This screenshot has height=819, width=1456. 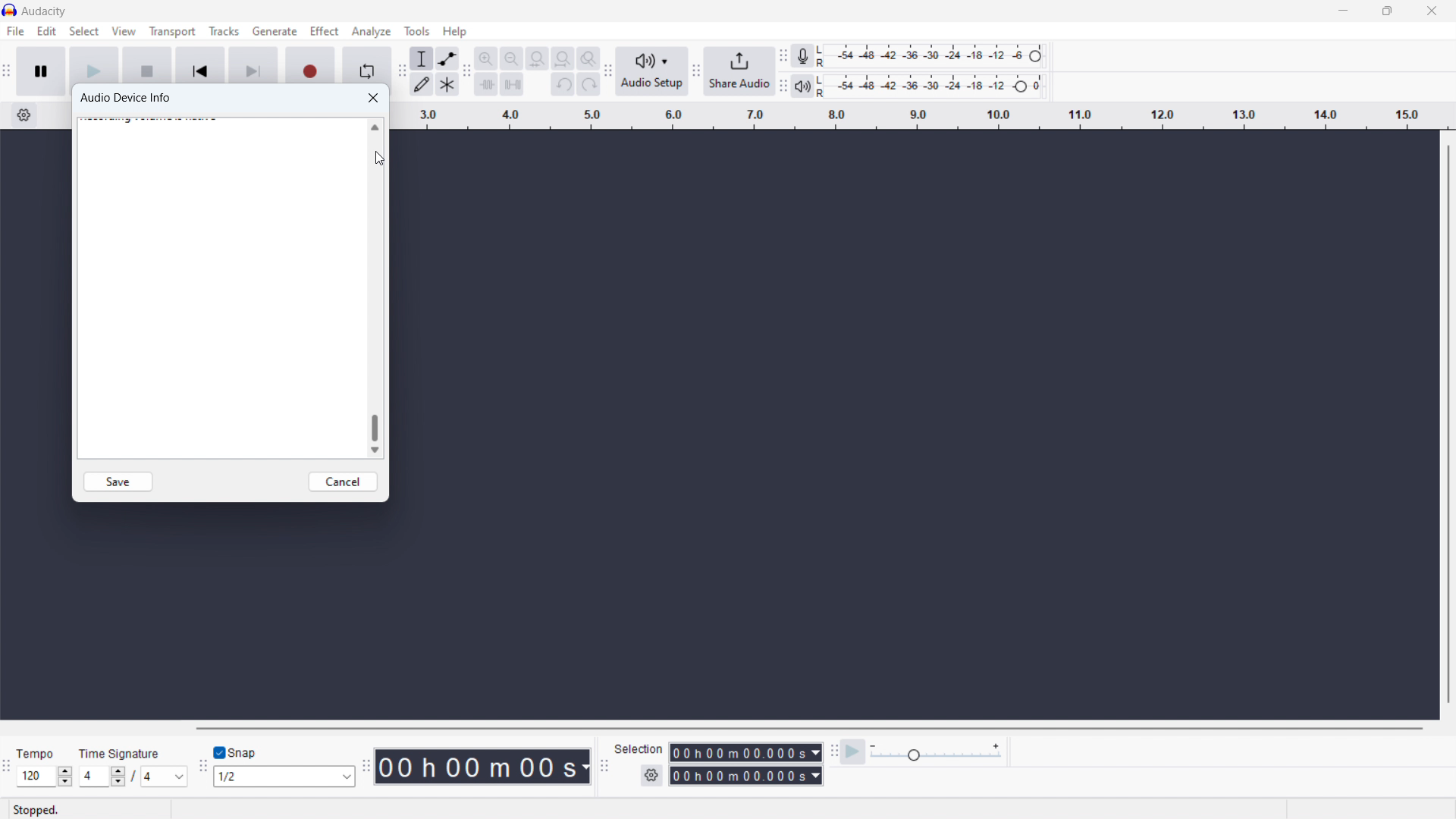 What do you see at coordinates (83, 31) in the screenshot?
I see `select` at bounding box center [83, 31].